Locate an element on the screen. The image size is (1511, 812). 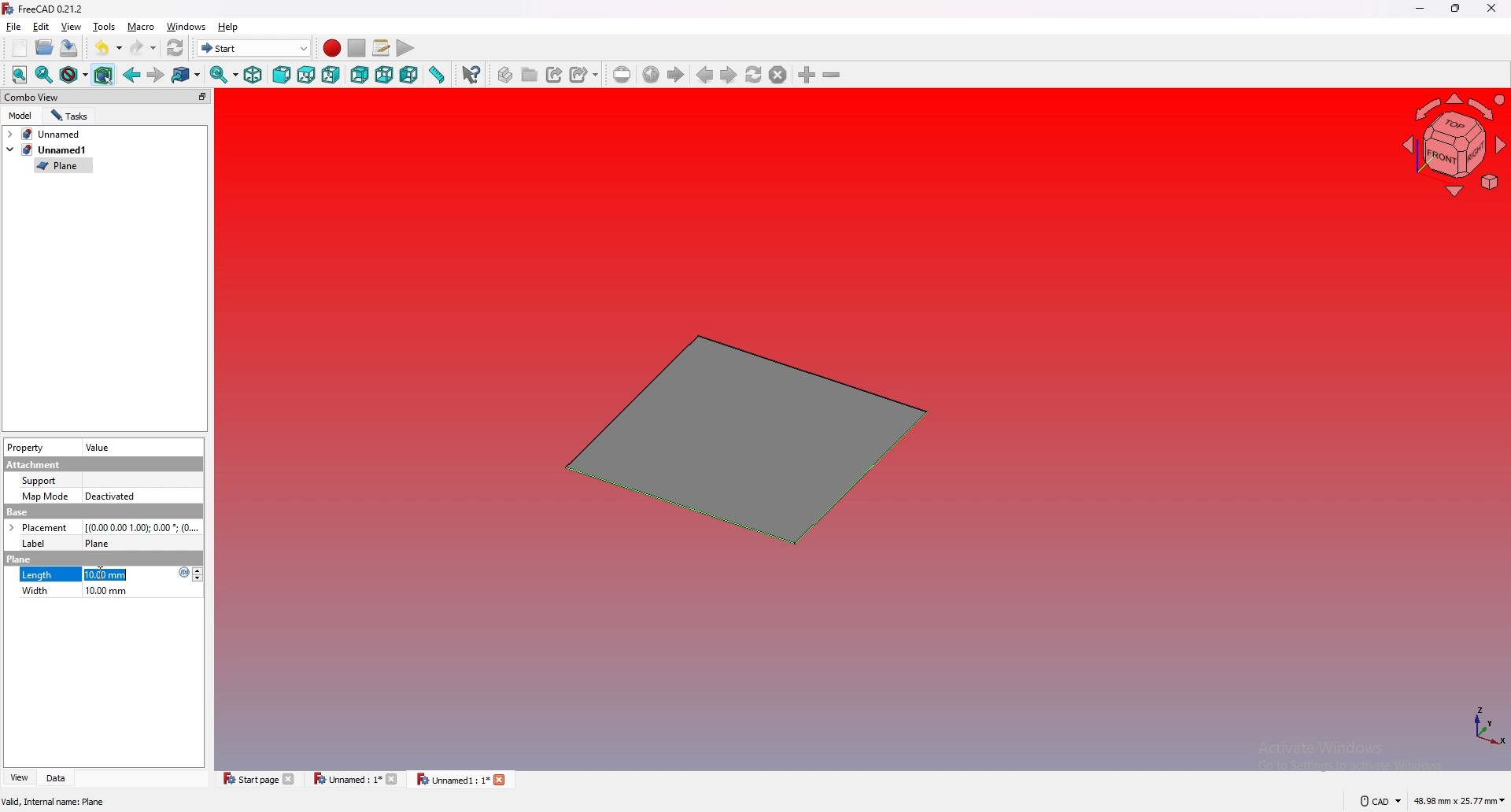
left is located at coordinates (409, 76).